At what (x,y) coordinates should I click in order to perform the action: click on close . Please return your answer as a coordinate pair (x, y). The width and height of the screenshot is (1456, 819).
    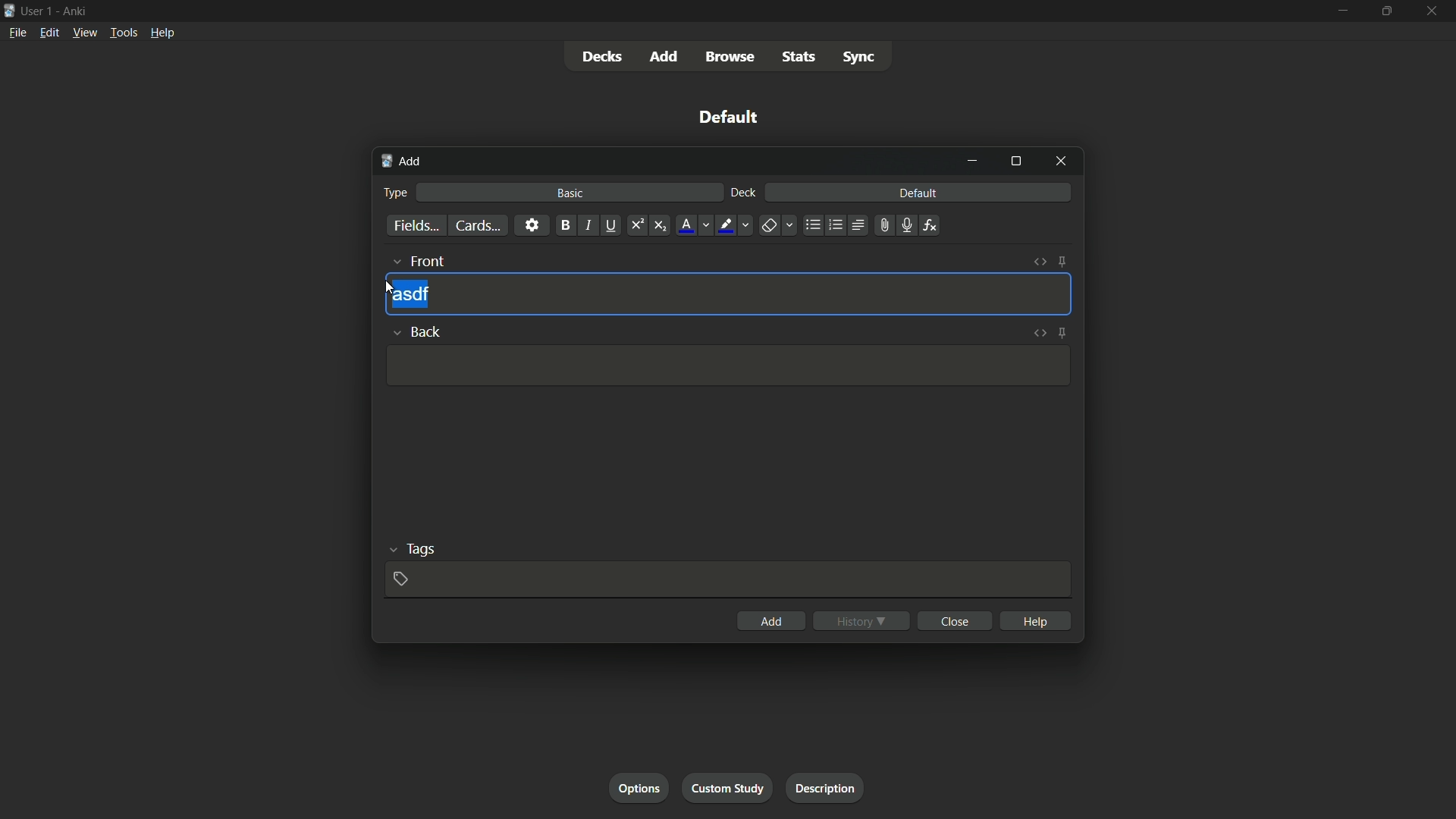
    Looking at the image, I should click on (1061, 162).